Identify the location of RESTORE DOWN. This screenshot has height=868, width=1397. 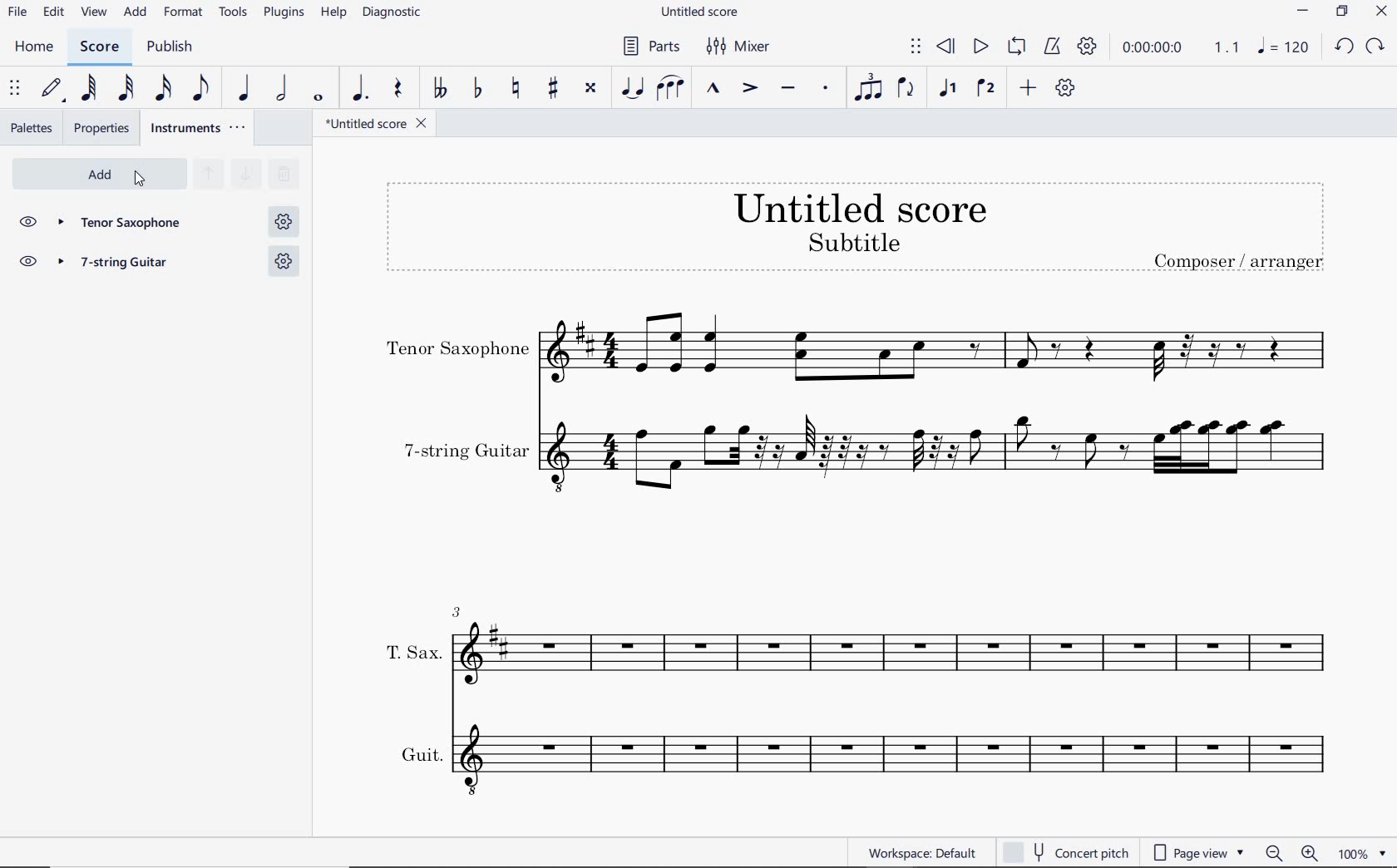
(1345, 12).